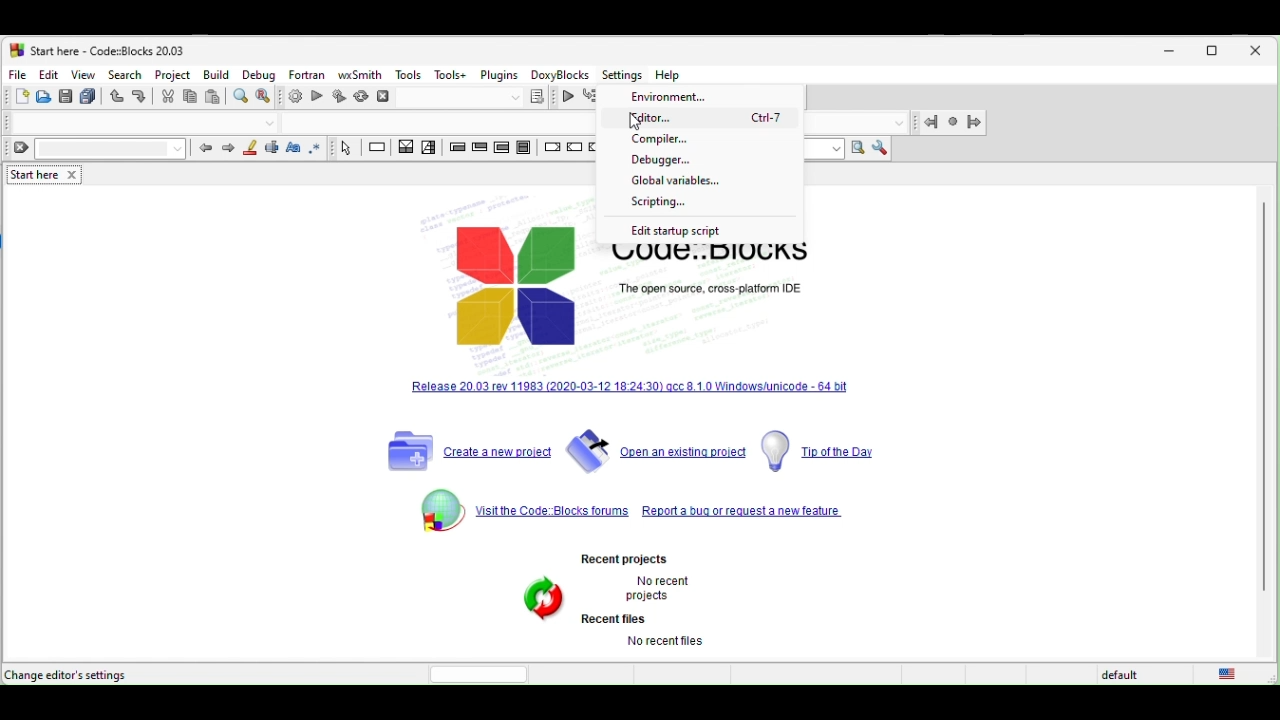  I want to click on show the select target dialogue, so click(478, 99).